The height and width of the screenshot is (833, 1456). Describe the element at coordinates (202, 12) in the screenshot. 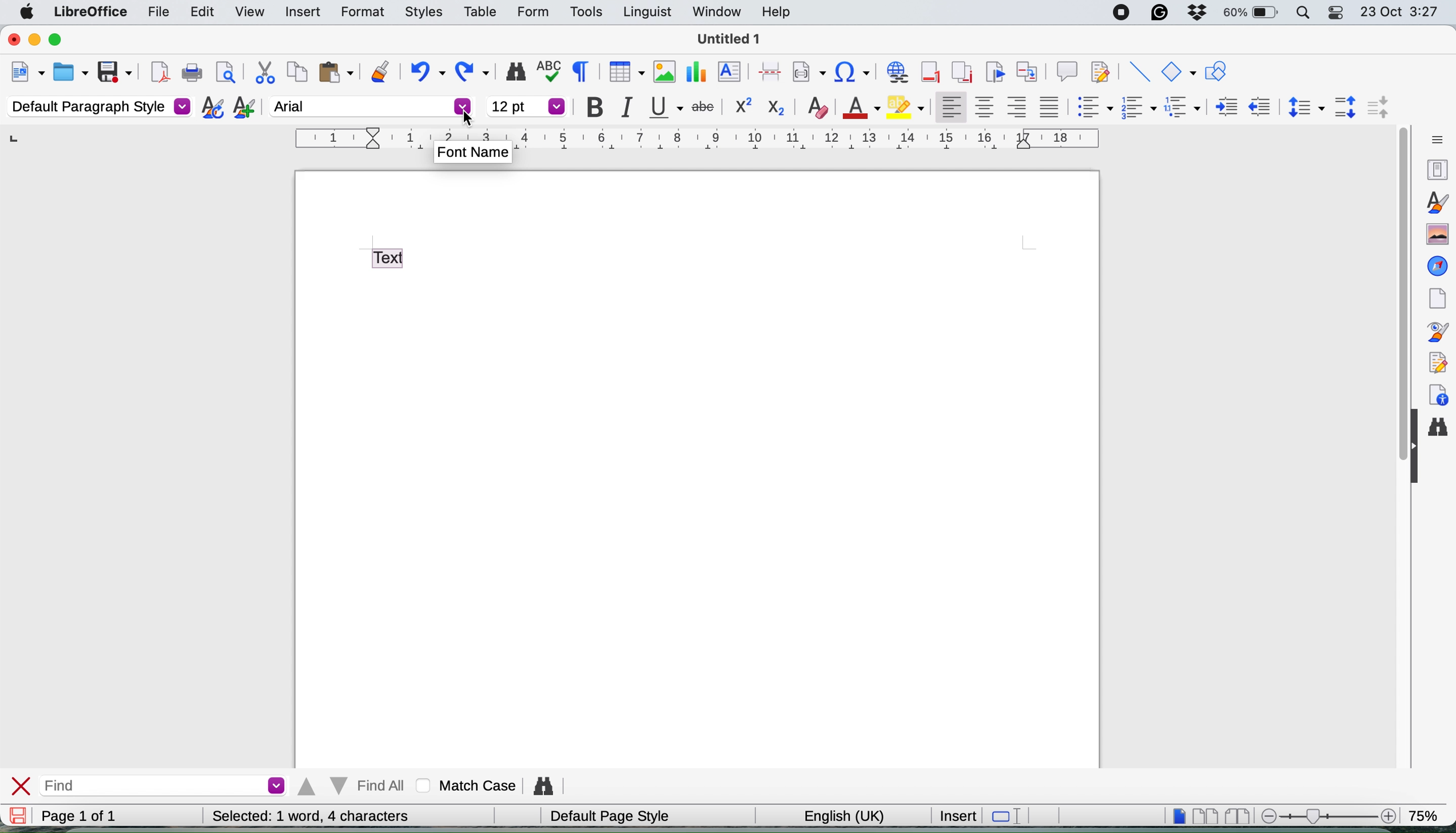

I see `edit` at that location.